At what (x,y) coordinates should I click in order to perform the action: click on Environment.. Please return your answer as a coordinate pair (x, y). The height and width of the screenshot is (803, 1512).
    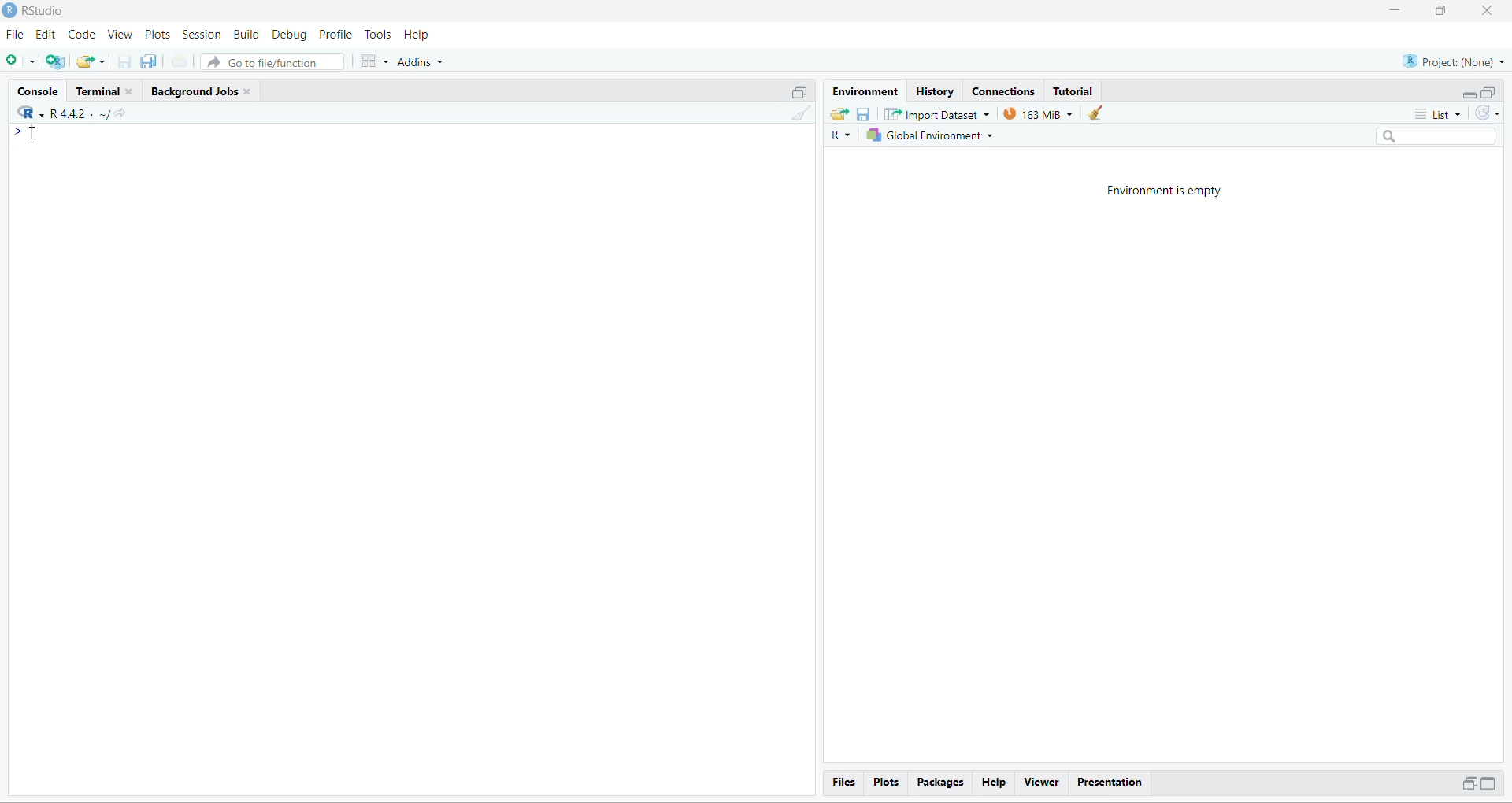
    Looking at the image, I should click on (864, 91).